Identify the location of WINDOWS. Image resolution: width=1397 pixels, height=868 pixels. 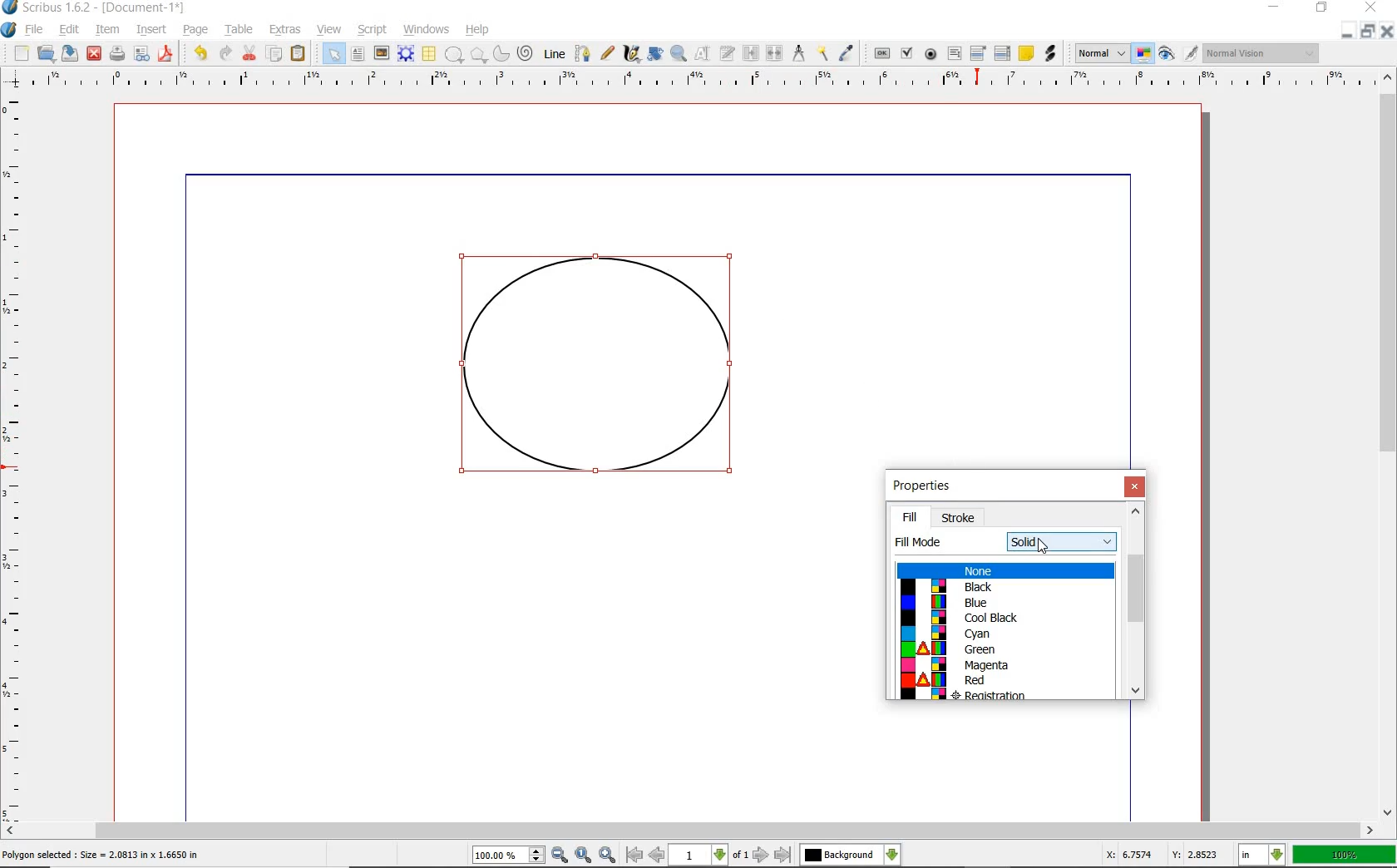
(427, 30).